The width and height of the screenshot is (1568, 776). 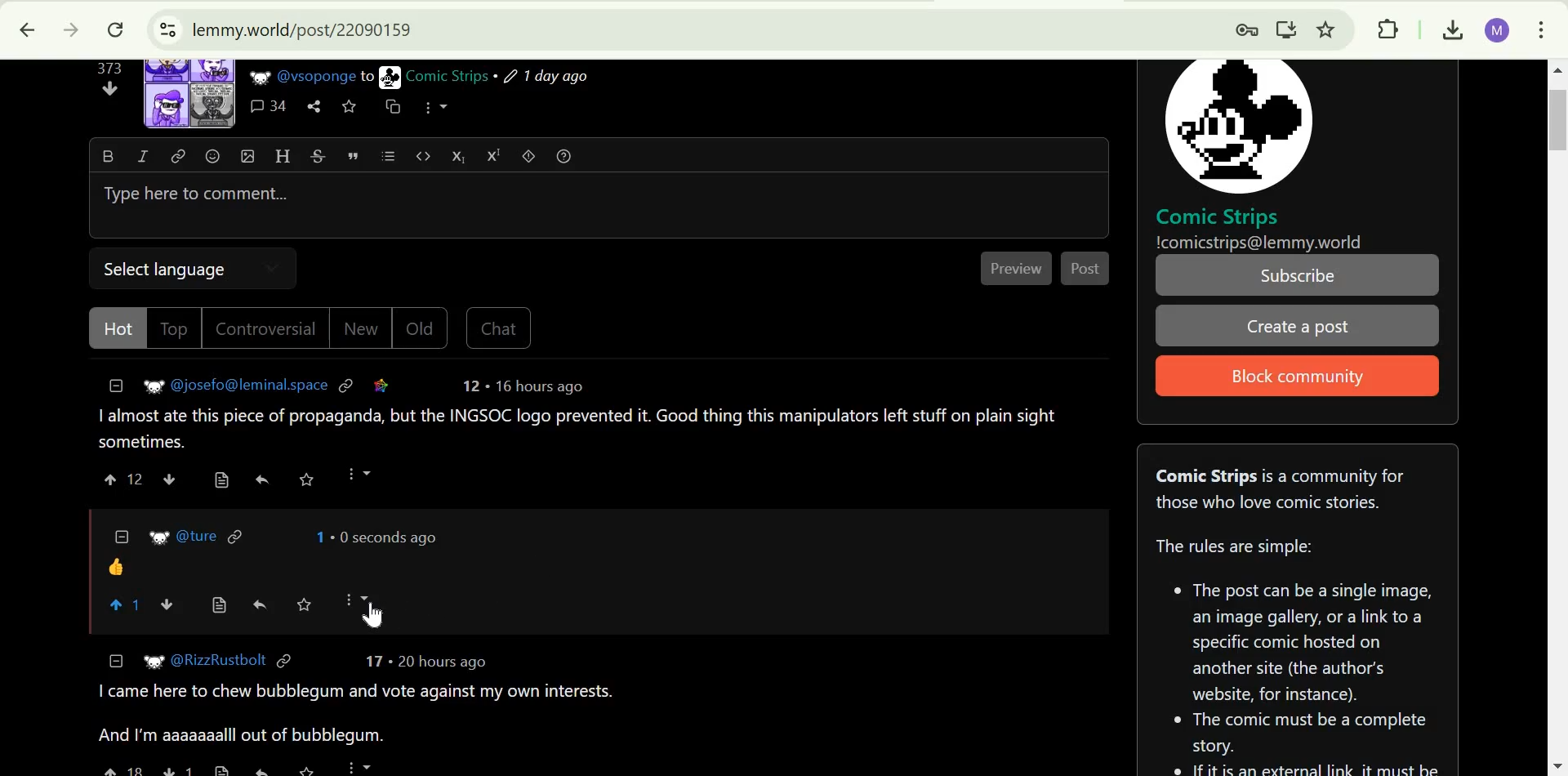 What do you see at coordinates (122, 535) in the screenshot?
I see `collapse` at bounding box center [122, 535].